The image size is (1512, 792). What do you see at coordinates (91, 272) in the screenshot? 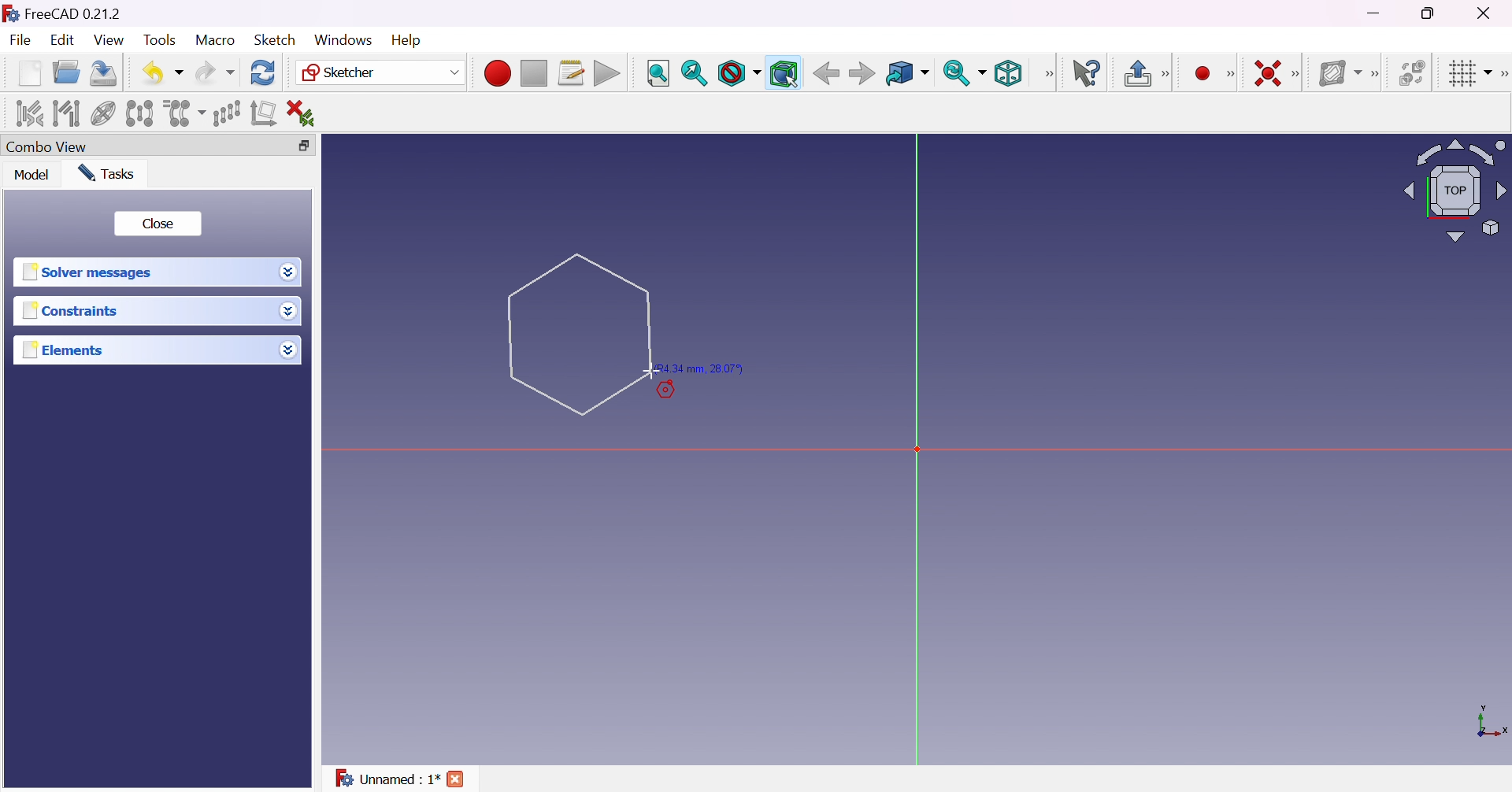
I see `Solver messsages` at bounding box center [91, 272].